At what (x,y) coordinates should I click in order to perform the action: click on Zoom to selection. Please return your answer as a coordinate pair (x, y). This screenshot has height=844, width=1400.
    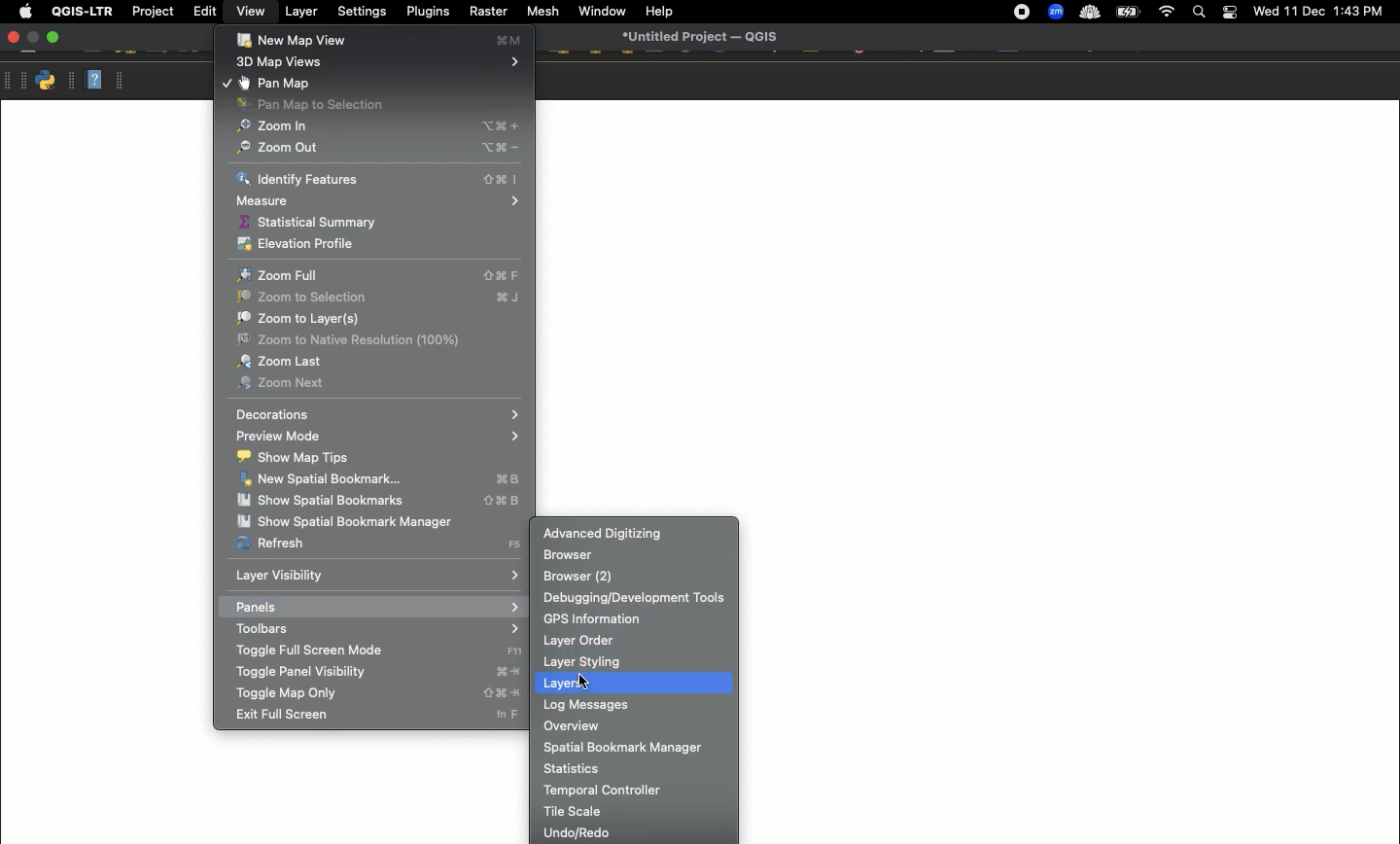
    Looking at the image, I should click on (379, 298).